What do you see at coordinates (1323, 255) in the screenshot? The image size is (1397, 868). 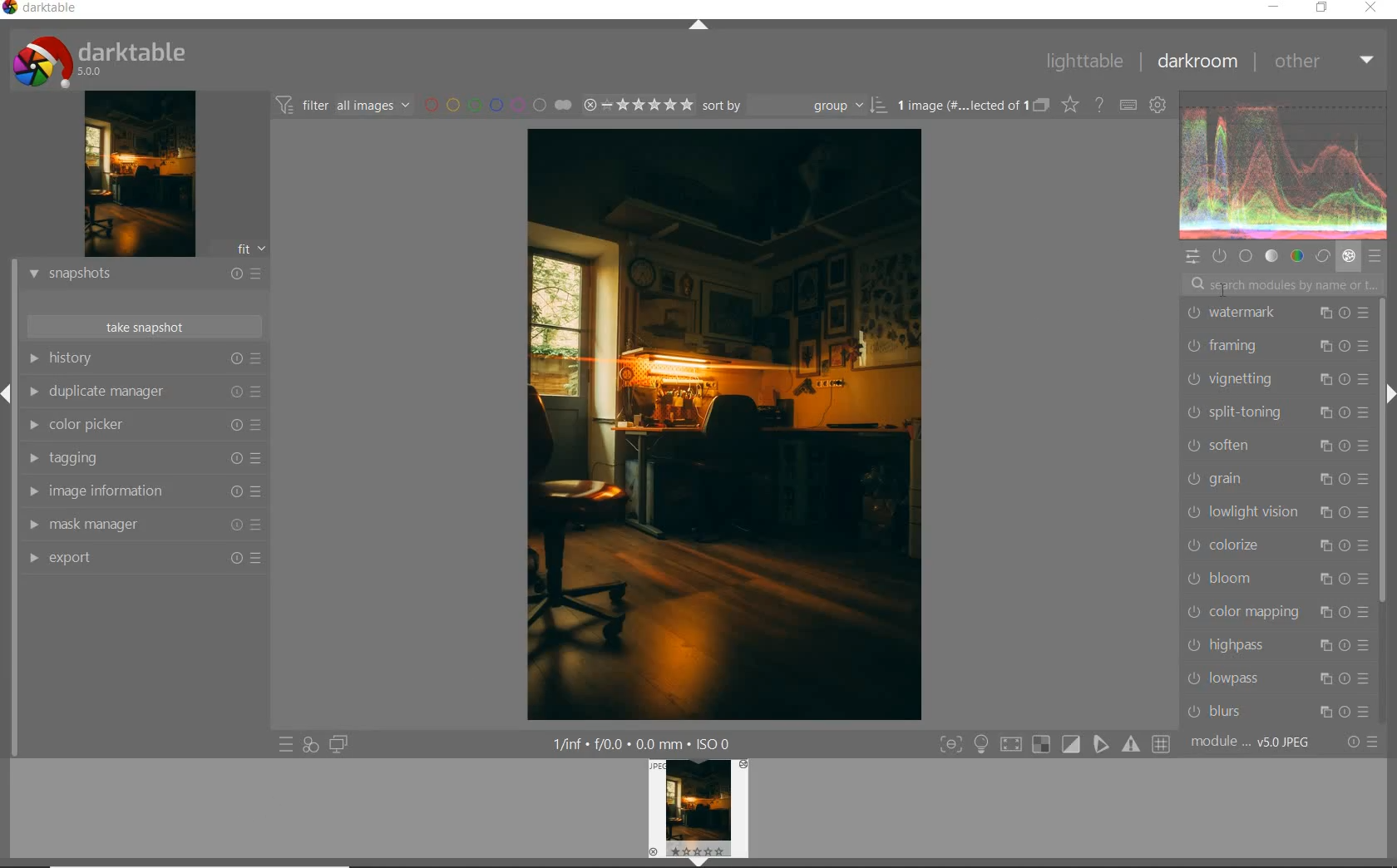 I see `correct` at bounding box center [1323, 255].